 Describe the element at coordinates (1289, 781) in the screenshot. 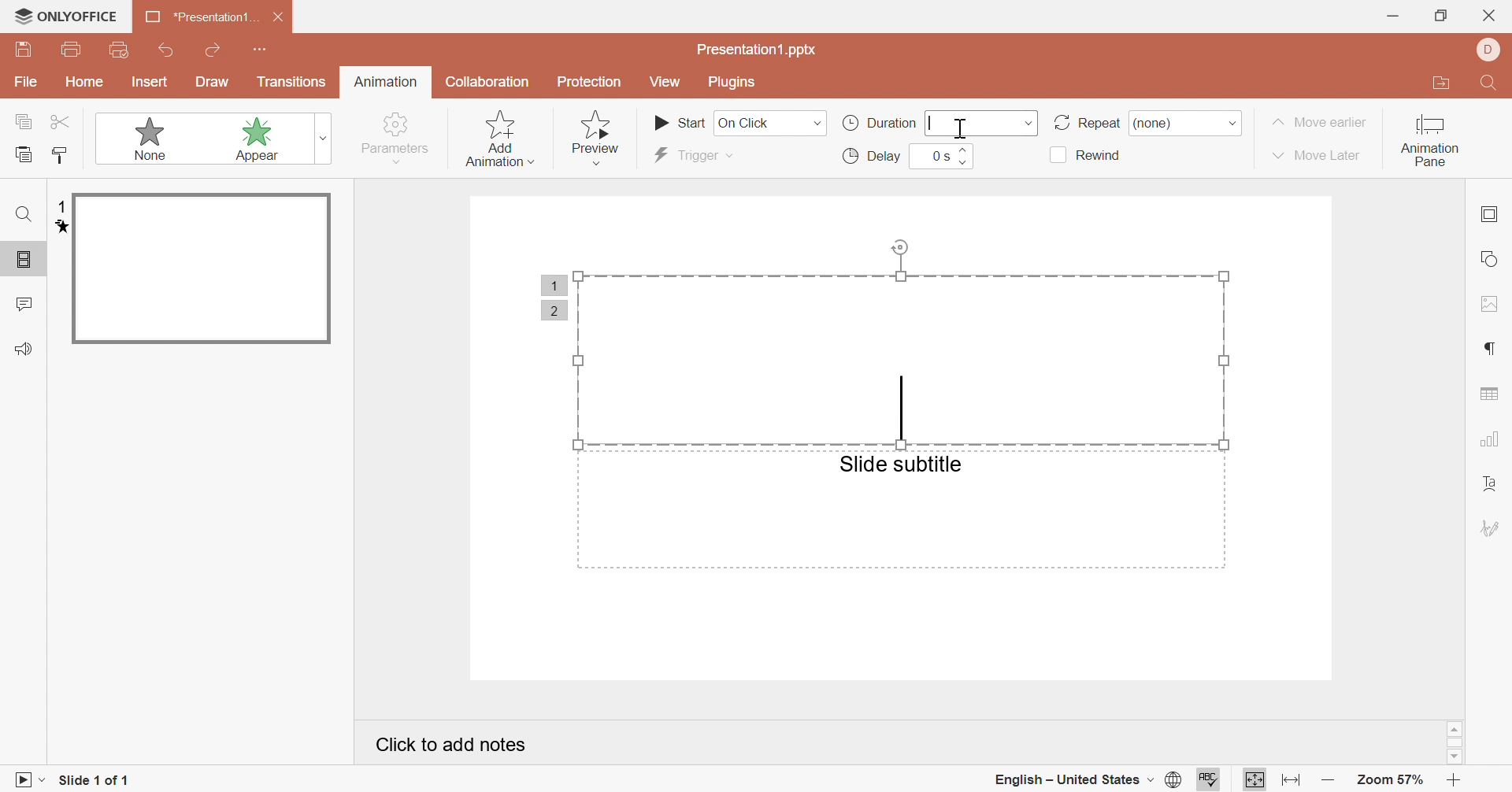

I see `fit to width` at that location.